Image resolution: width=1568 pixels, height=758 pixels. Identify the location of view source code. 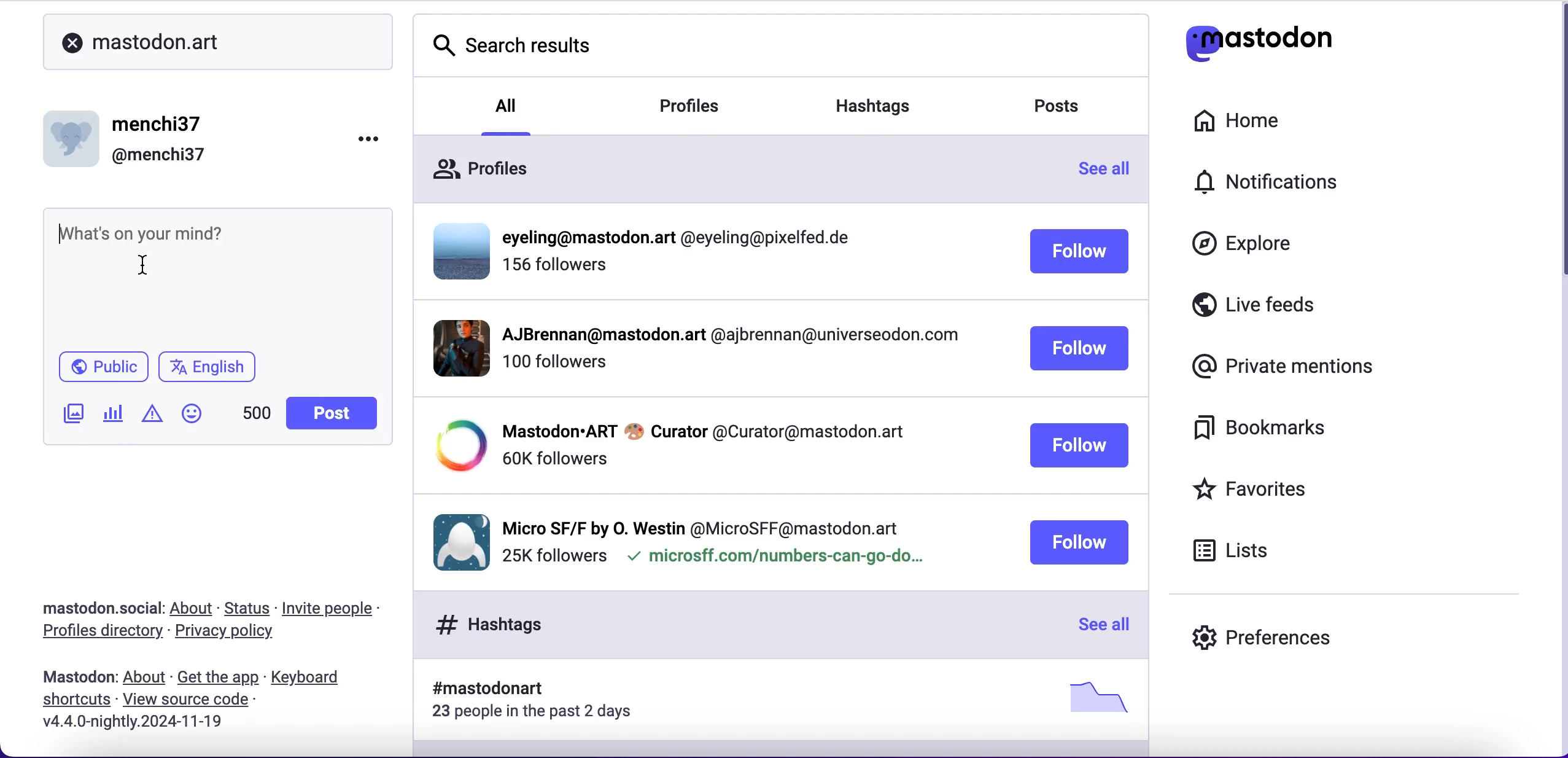
(197, 700).